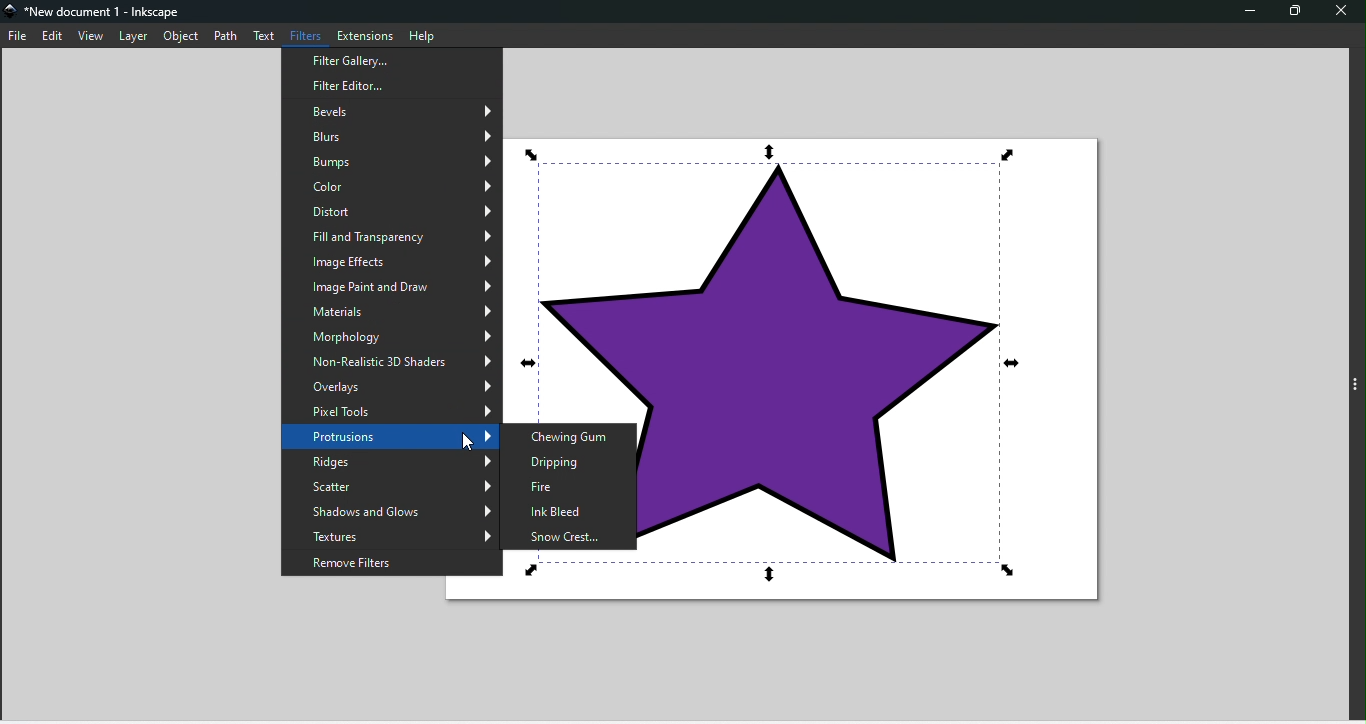 The height and width of the screenshot is (724, 1366). I want to click on Protrusions, so click(393, 435).